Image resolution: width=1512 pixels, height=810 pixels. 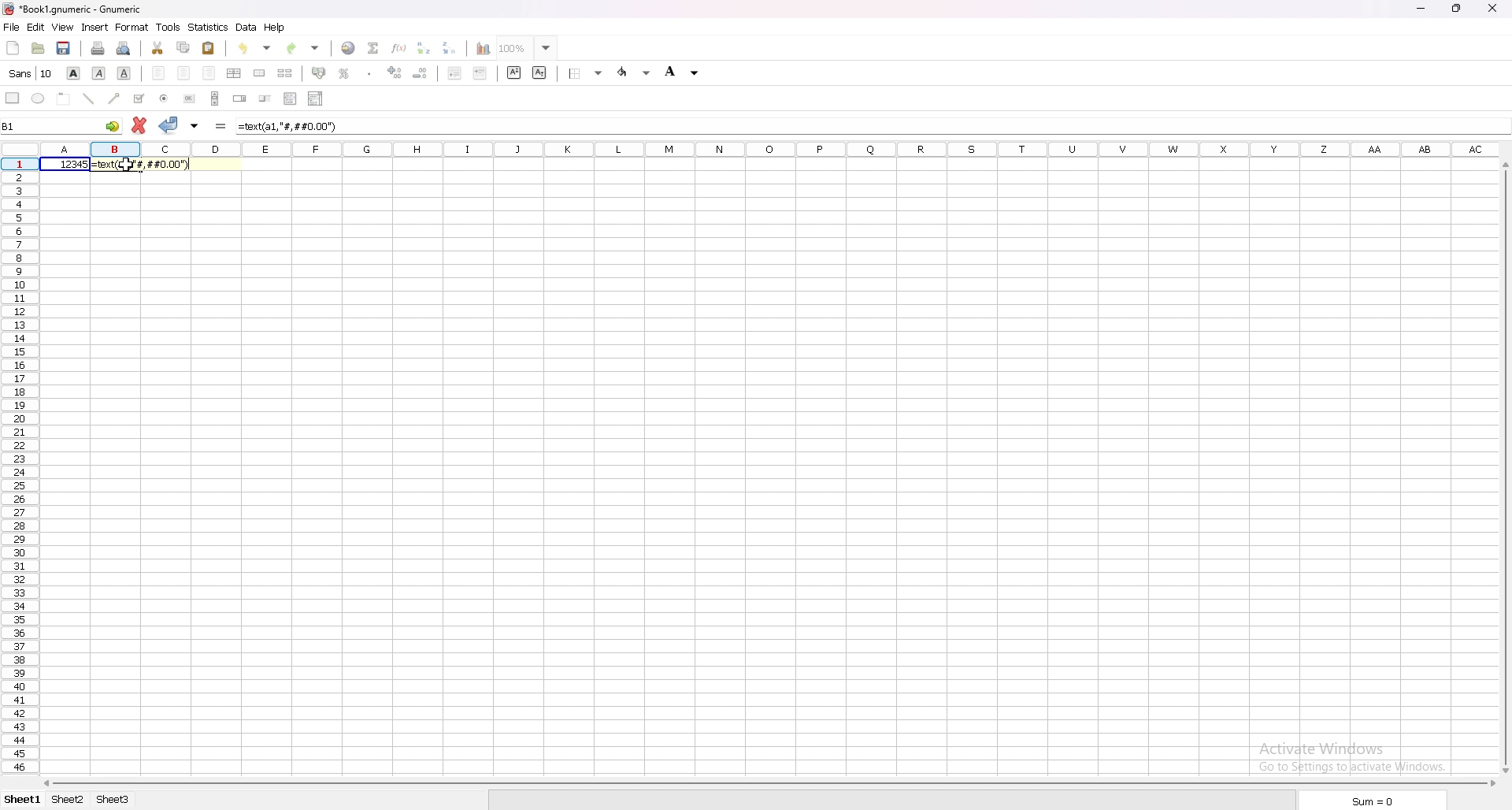 What do you see at coordinates (98, 47) in the screenshot?
I see `print` at bounding box center [98, 47].